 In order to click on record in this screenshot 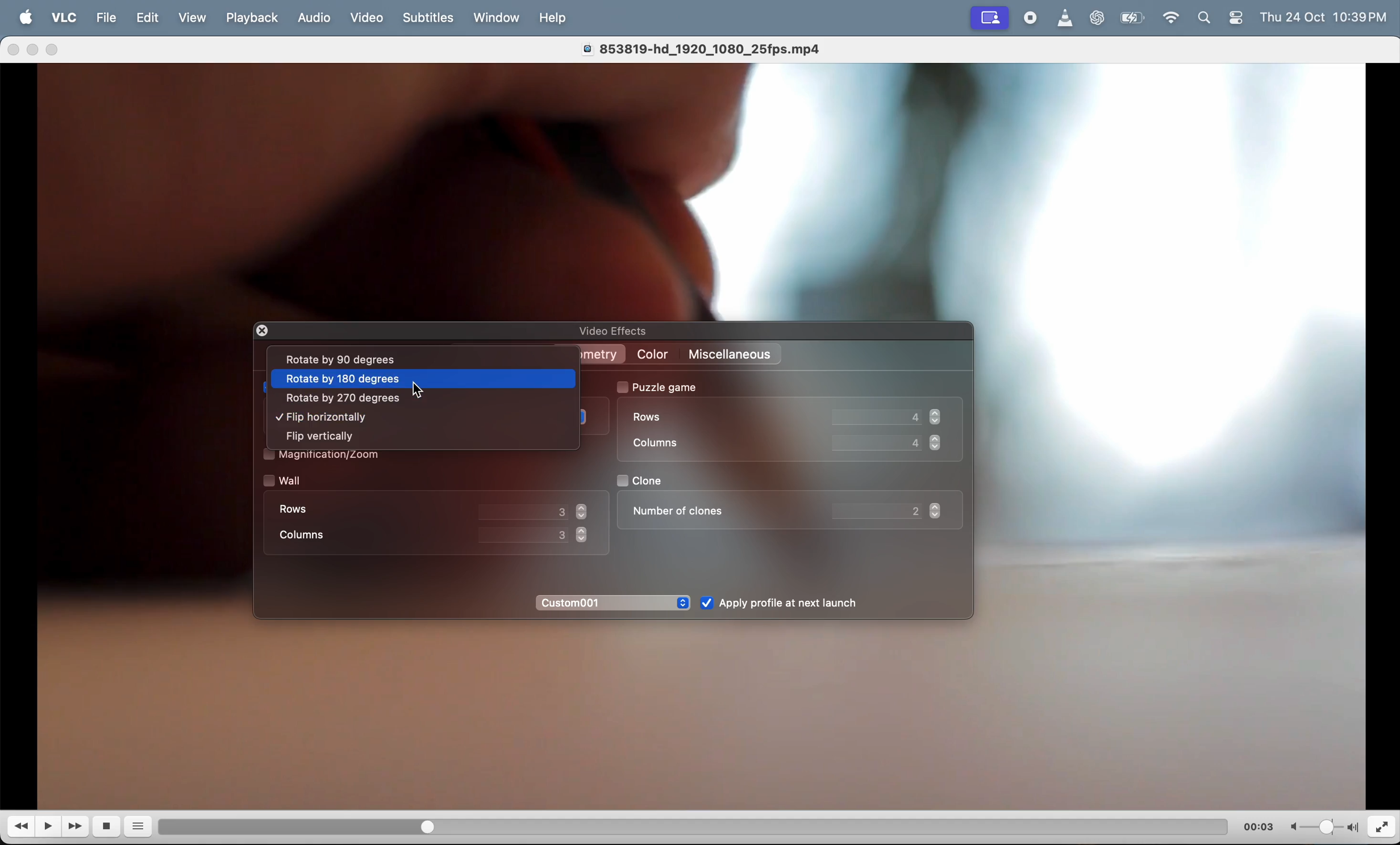, I will do `click(1030, 18)`.